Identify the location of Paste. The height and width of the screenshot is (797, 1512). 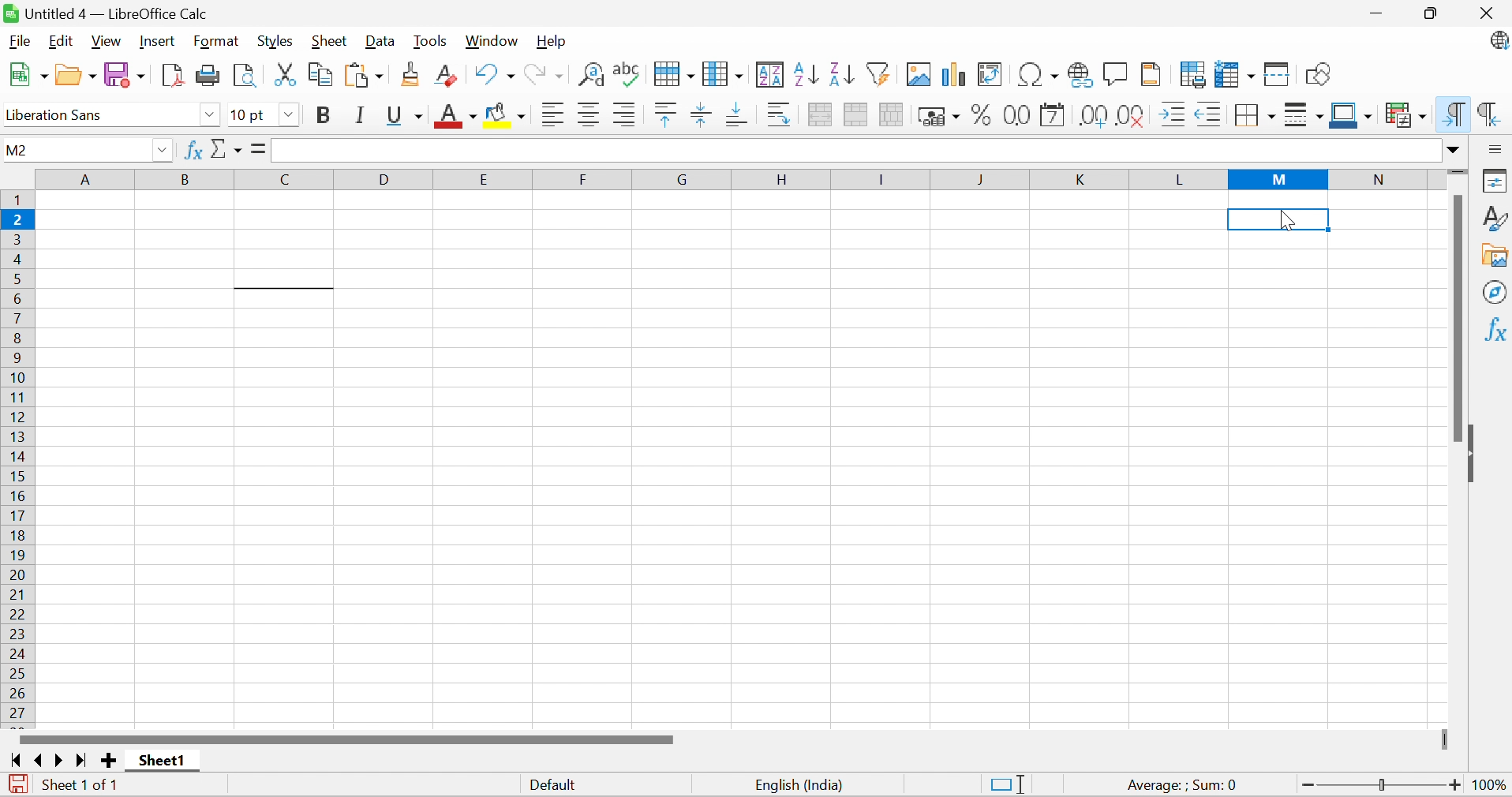
(367, 77).